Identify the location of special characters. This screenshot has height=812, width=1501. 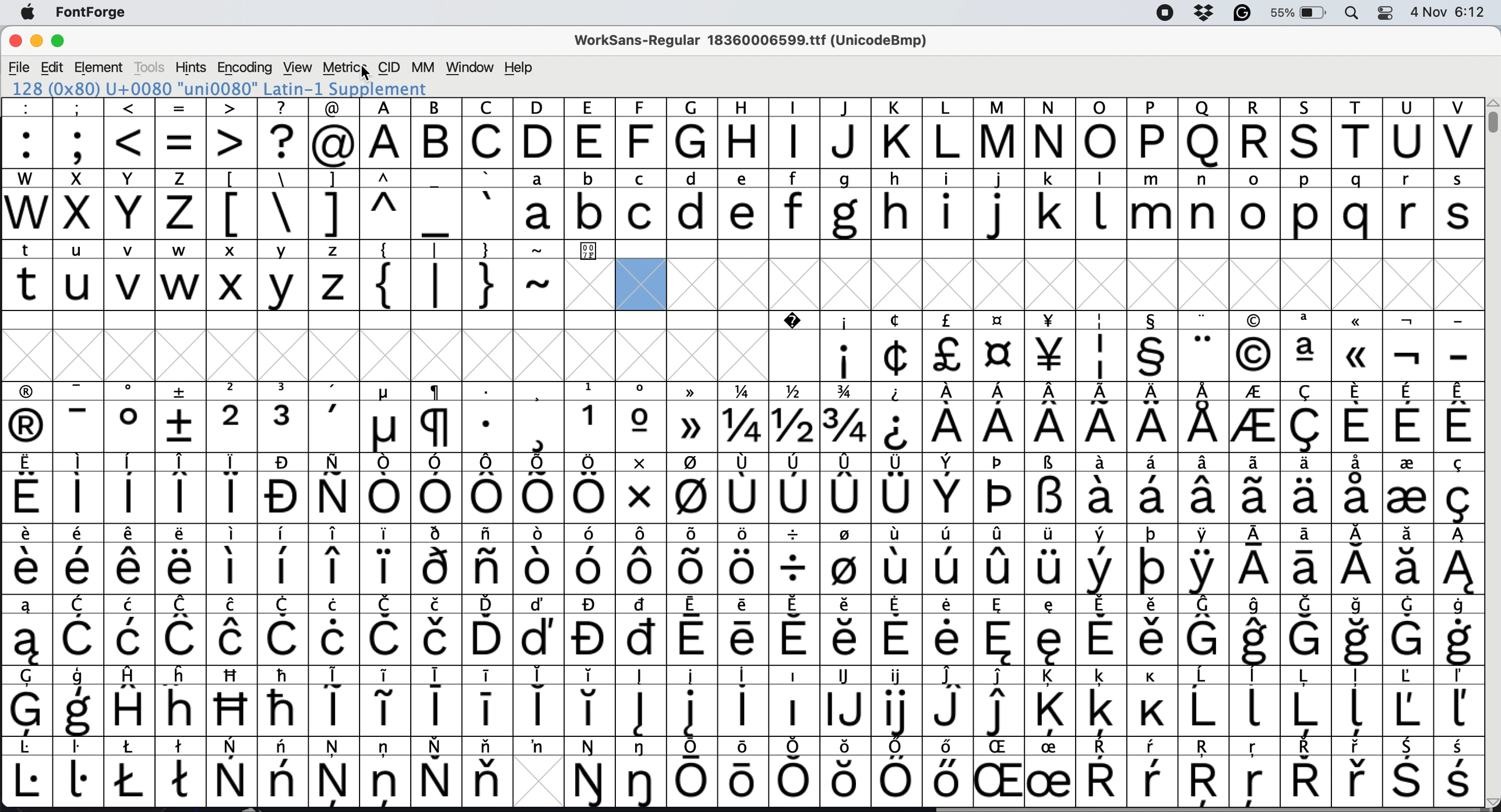
(741, 712).